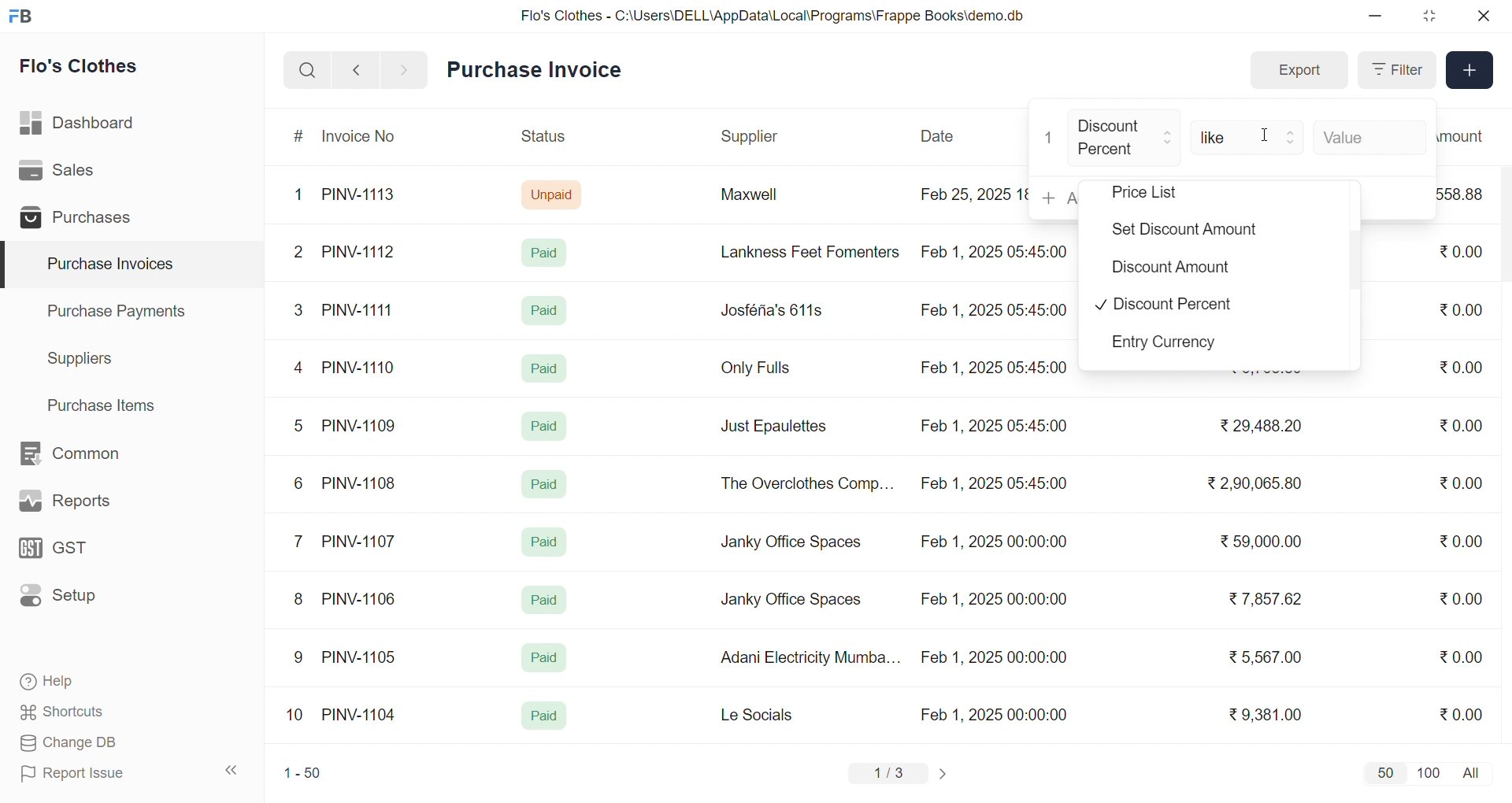 Image resolution: width=1512 pixels, height=803 pixels. I want to click on 6, so click(298, 483).